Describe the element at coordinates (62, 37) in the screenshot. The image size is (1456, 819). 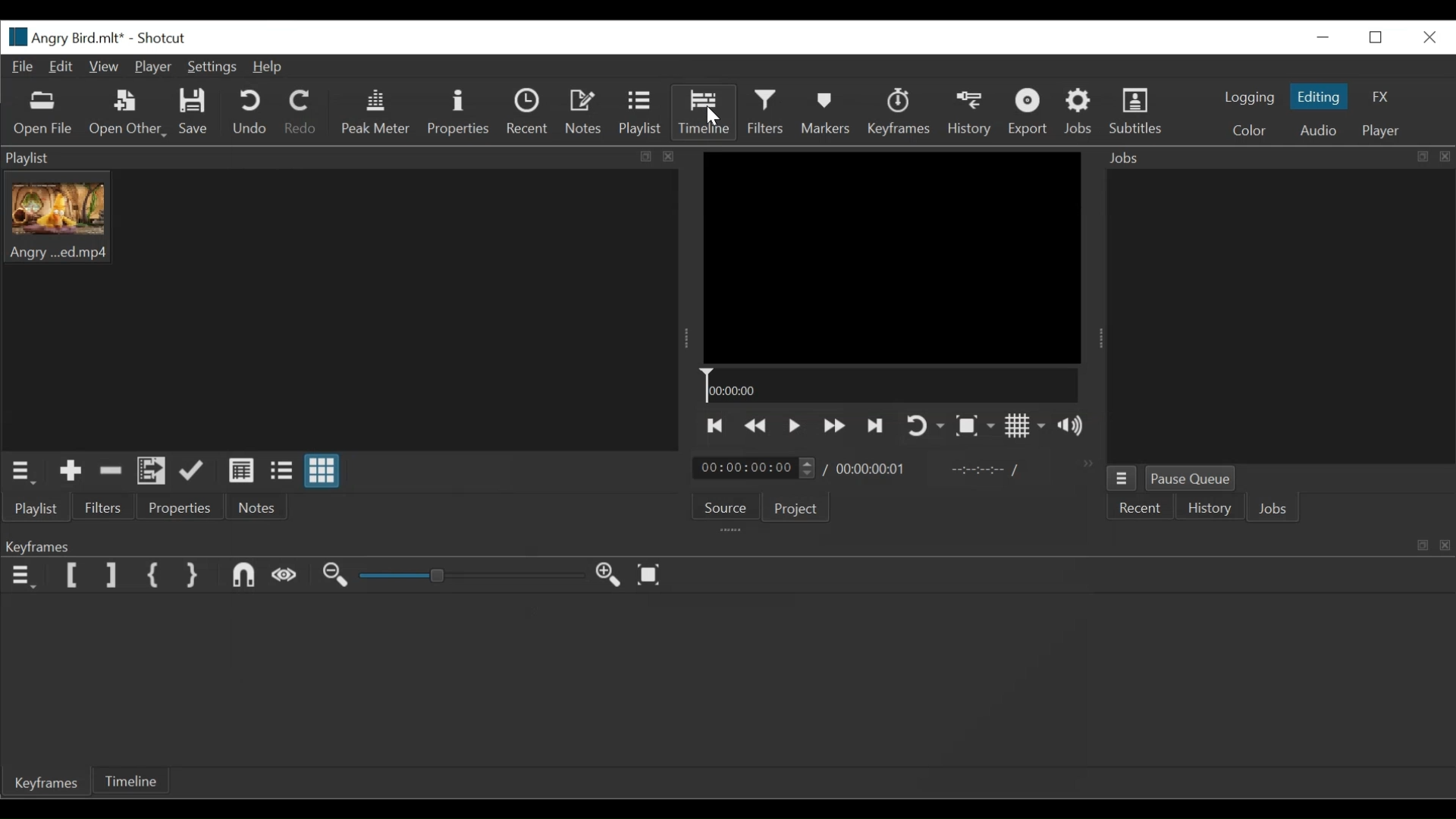
I see `File name` at that location.